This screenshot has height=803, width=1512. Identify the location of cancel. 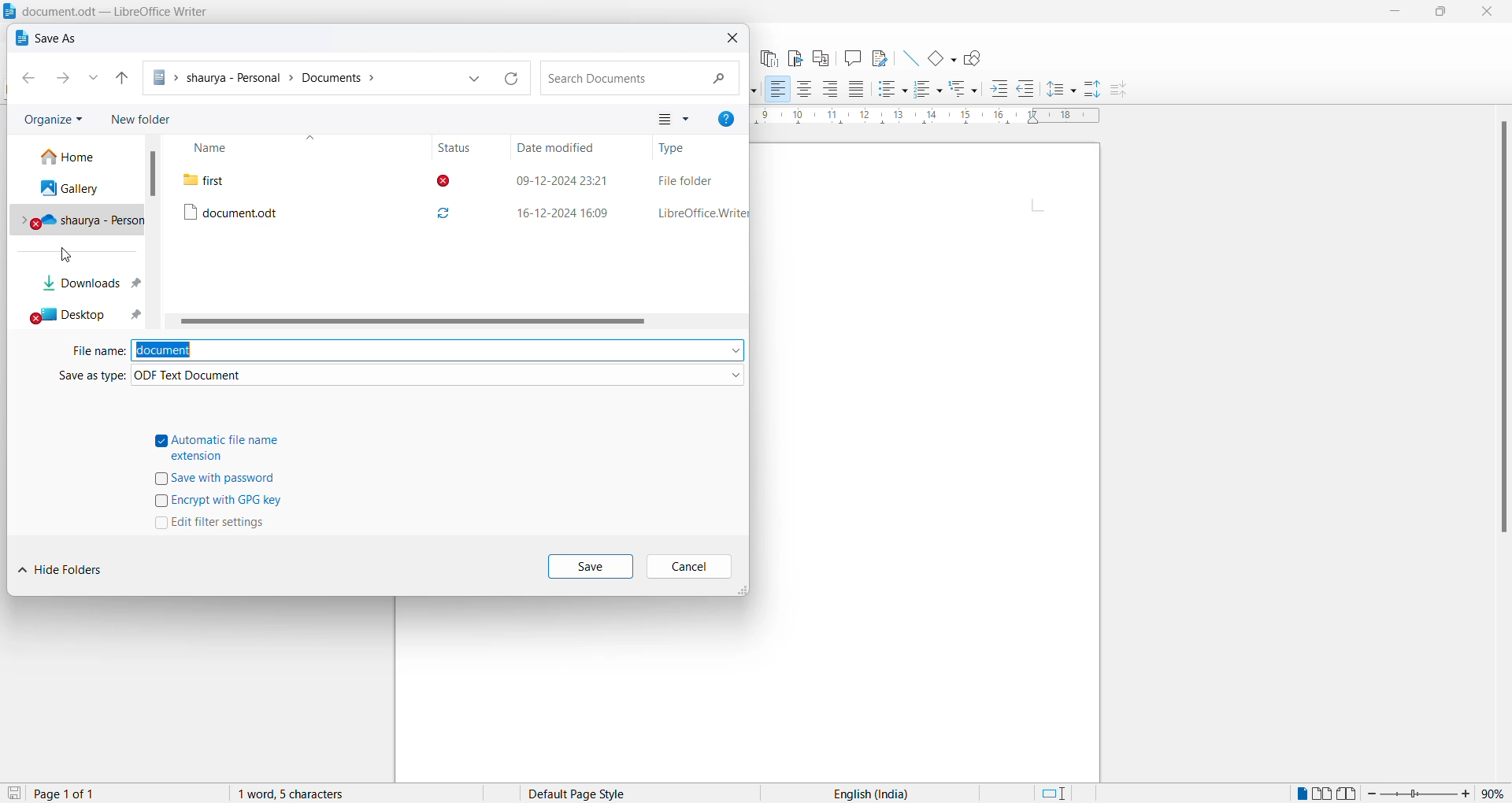
(689, 568).